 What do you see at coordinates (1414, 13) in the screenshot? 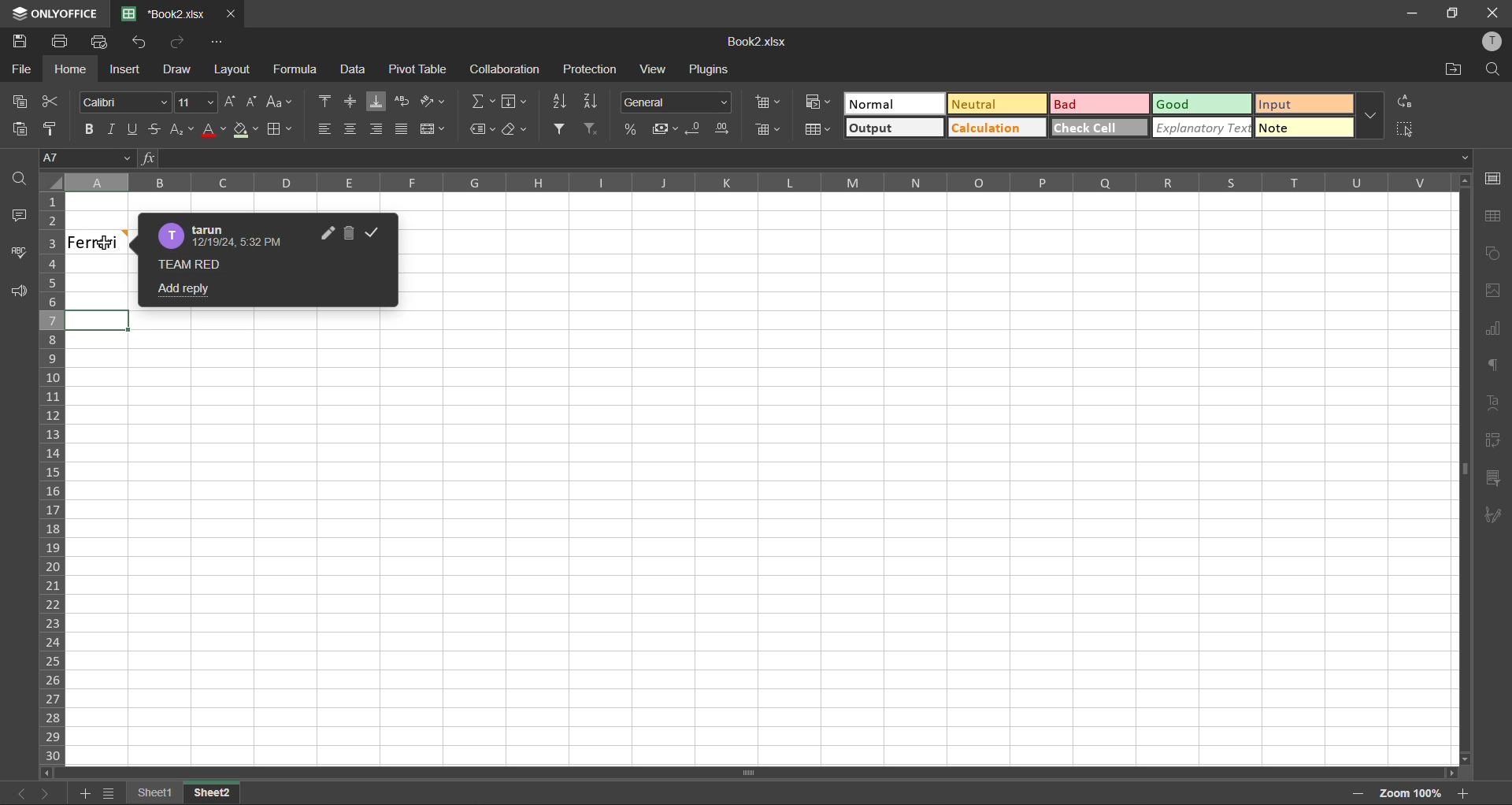
I see `minimize` at bounding box center [1414, 13].